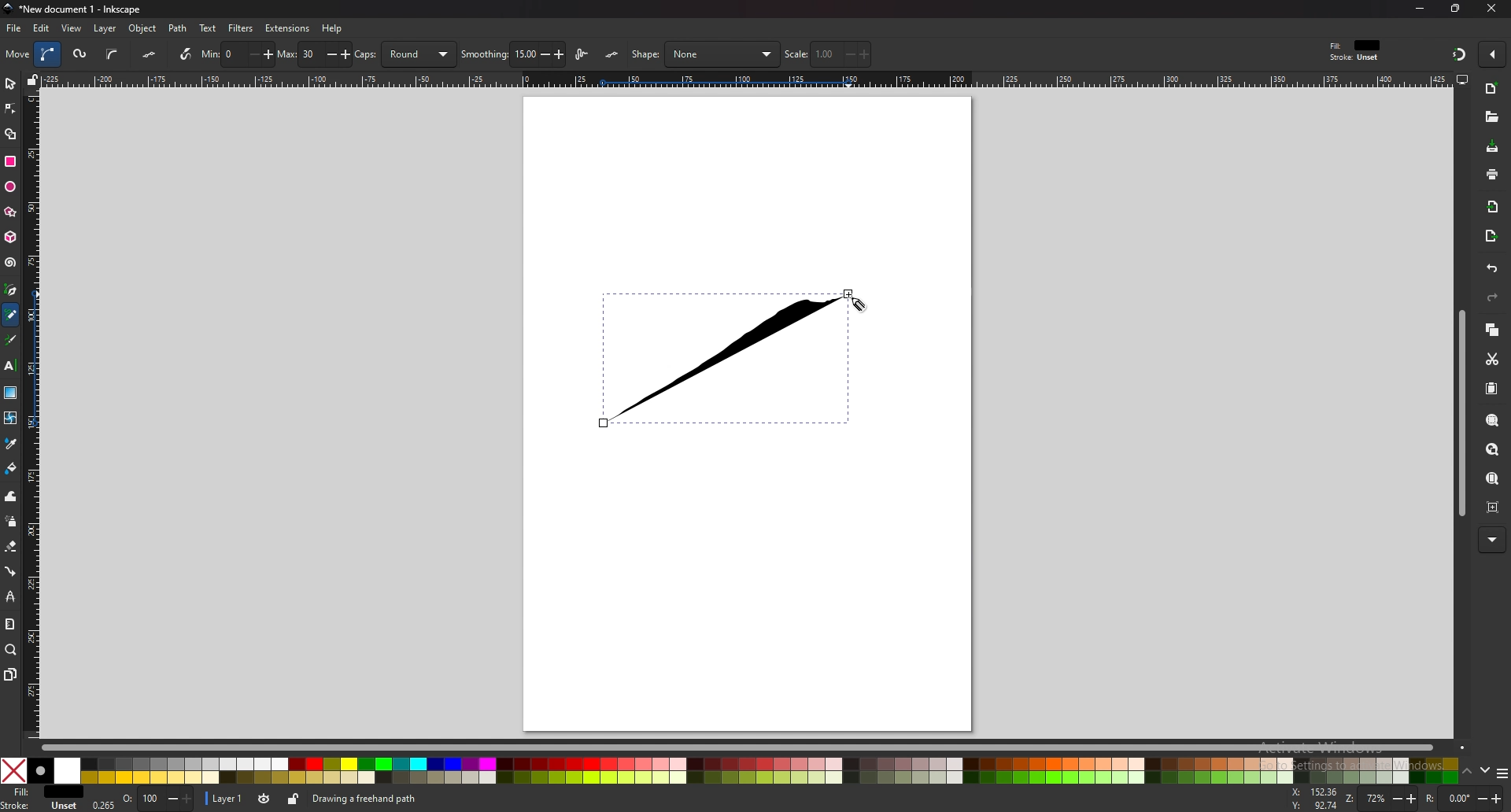  I want to click on pages, so click(9, 674).